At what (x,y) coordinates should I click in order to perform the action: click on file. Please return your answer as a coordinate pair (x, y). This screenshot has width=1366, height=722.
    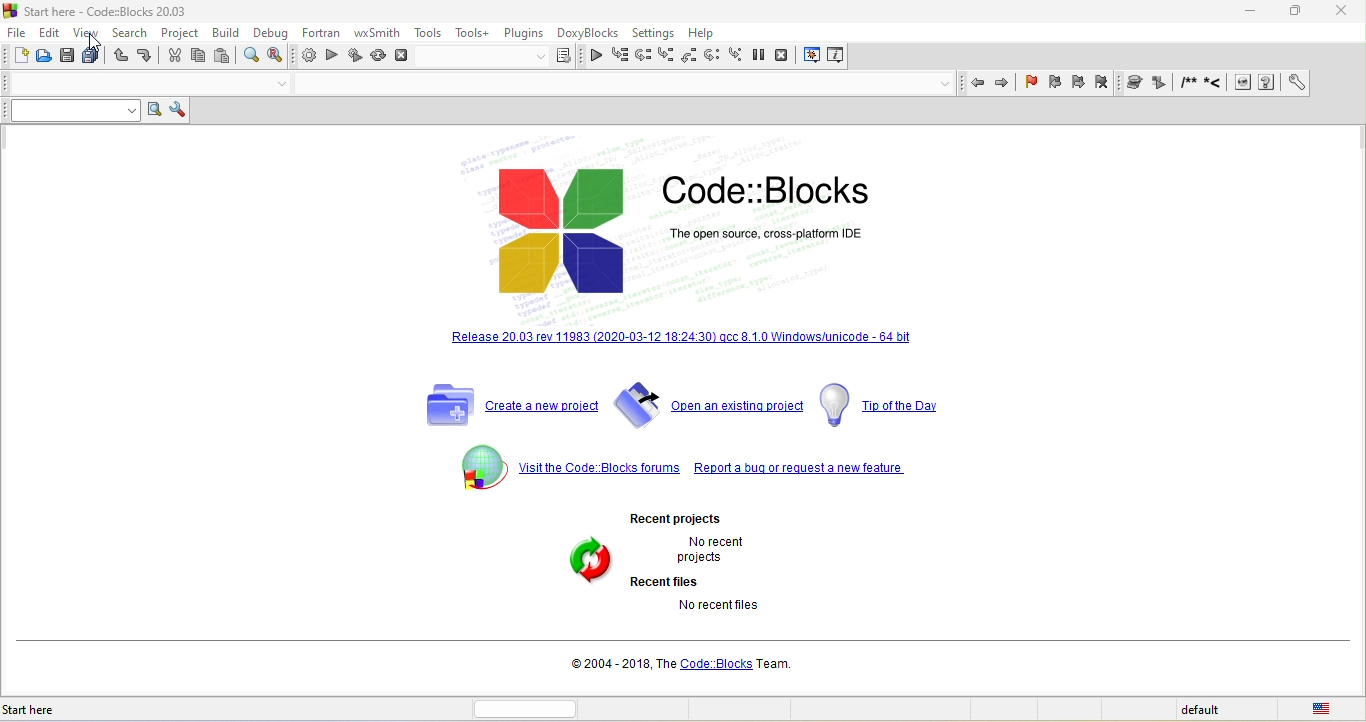
    Looking at the image, I should click on (19, 31).